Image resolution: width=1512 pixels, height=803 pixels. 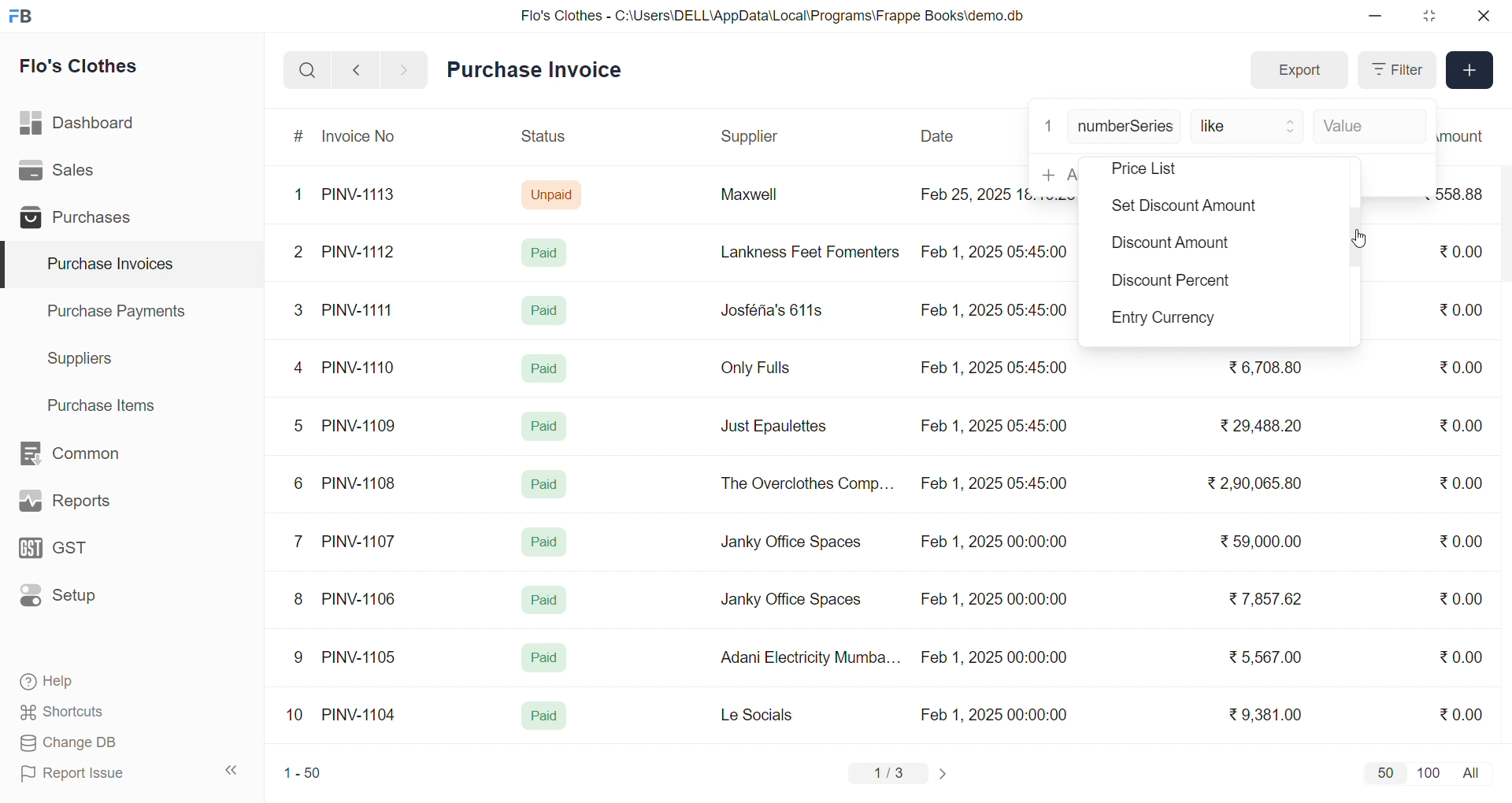 I want to click on minimize, so click(x=1377, y=17).